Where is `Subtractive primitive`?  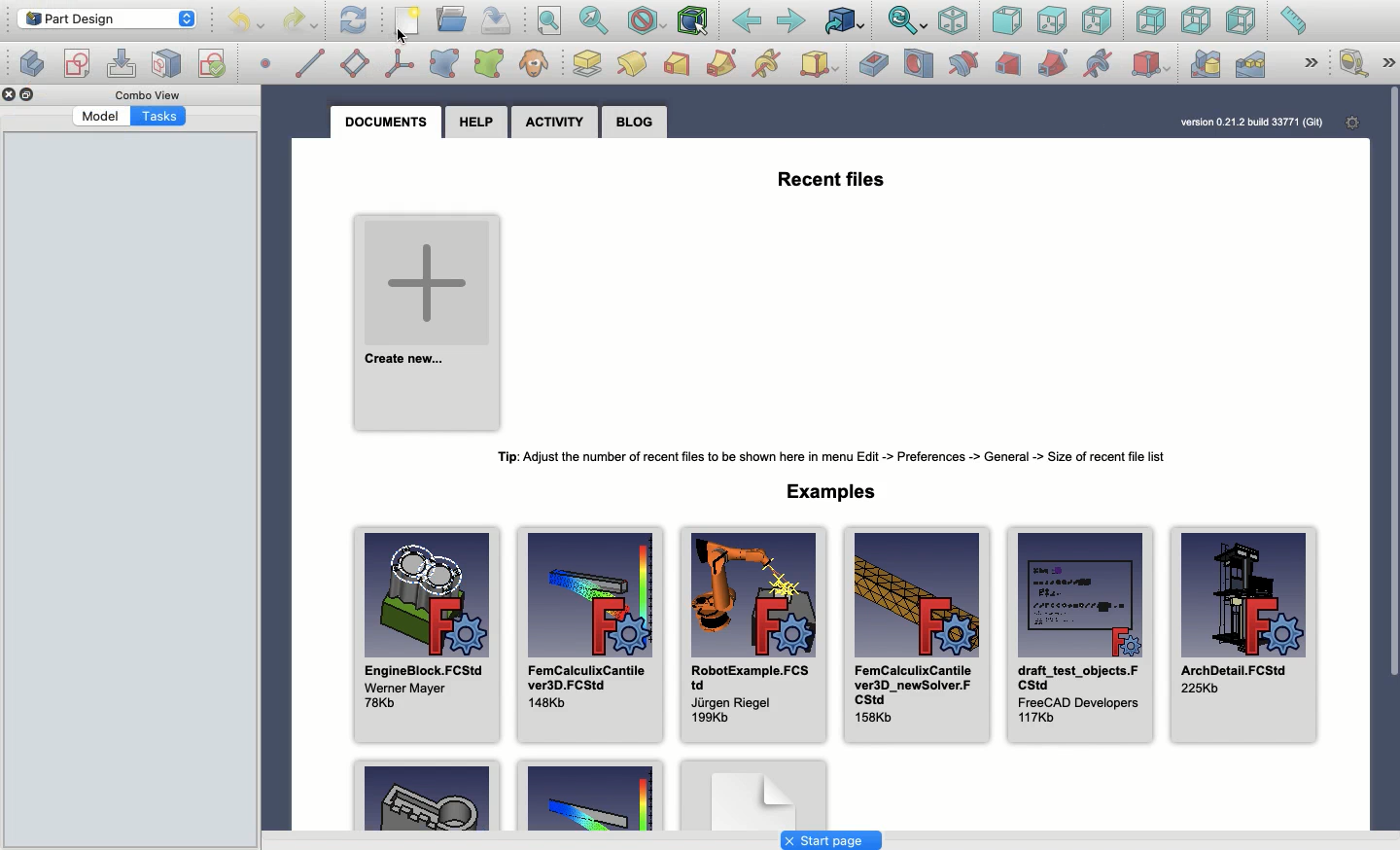
Subtractive primitive is located at coordinates (1151, 66).